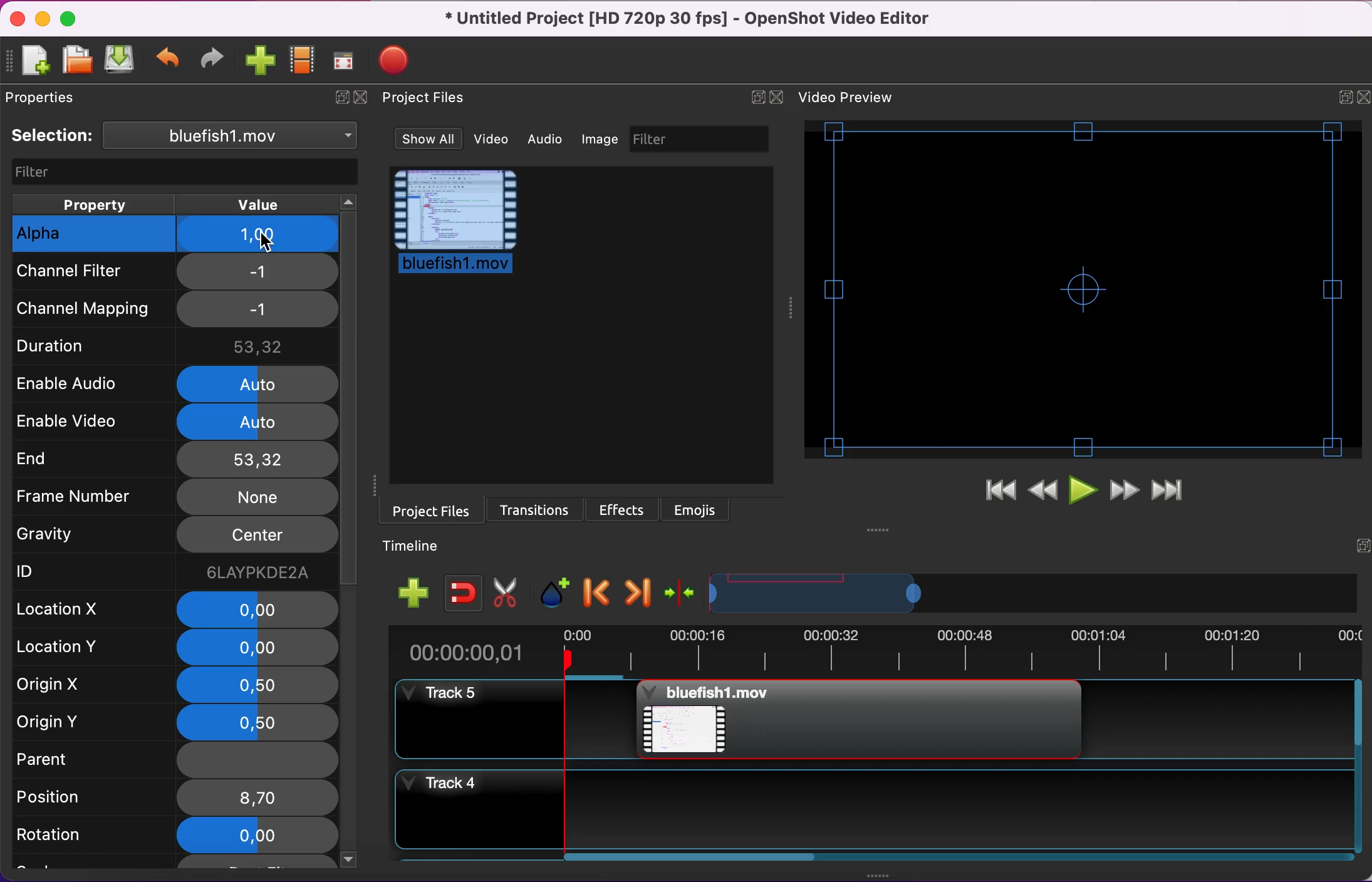 The width and height of the screenshot is (1372, 882). What do you see at coordinates (257, 422) in the screenshot?
I see `auto` at bounding box center [257, 422].